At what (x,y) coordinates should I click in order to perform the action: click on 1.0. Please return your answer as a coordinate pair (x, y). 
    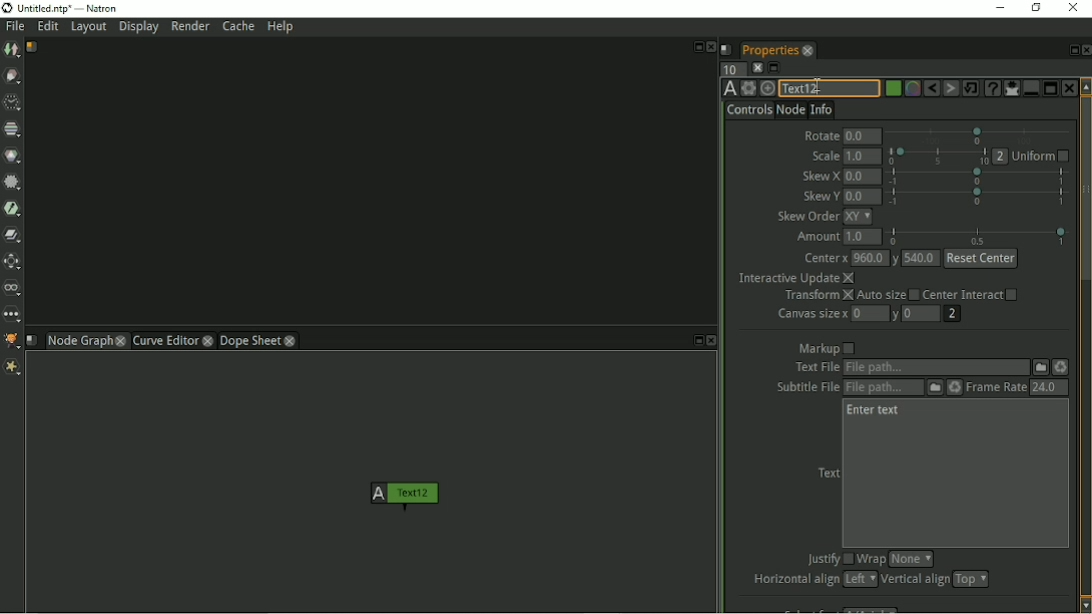
    Looking at the image, I should click on (862, 156).